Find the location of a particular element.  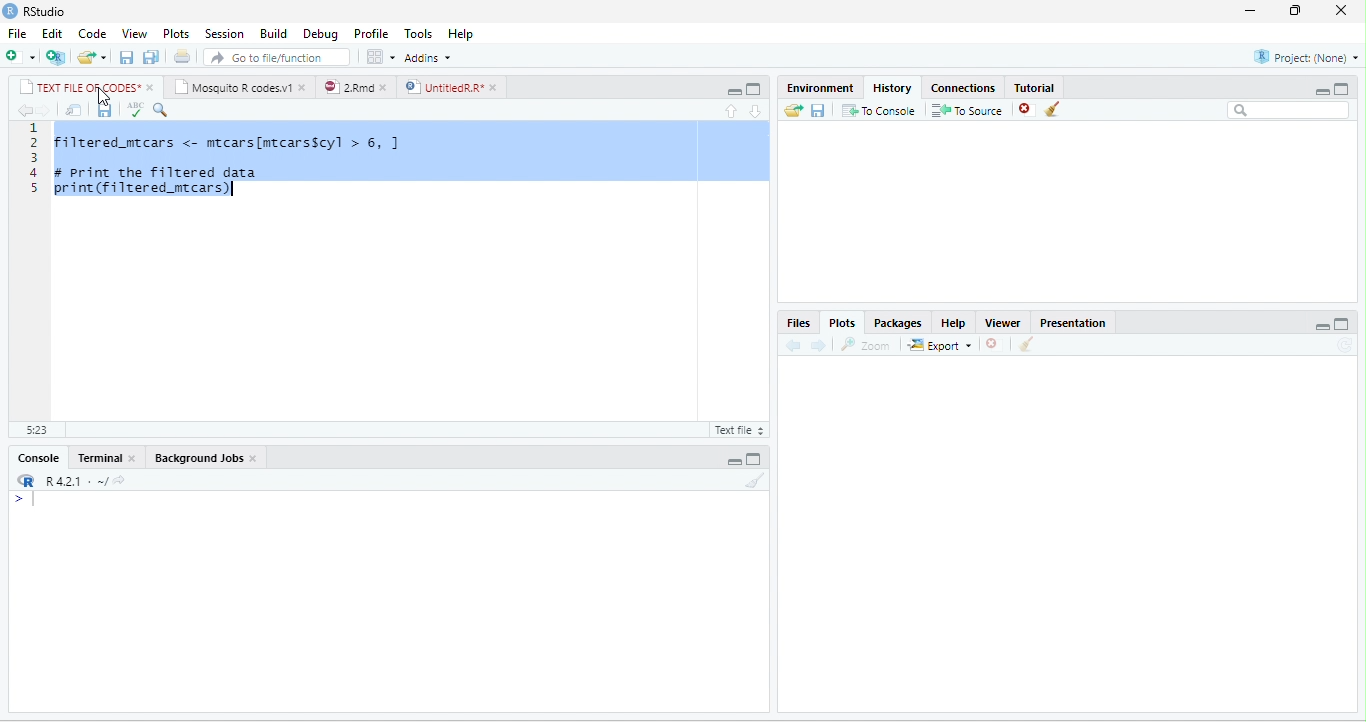

minimize is located at coordinates (1322, 326).